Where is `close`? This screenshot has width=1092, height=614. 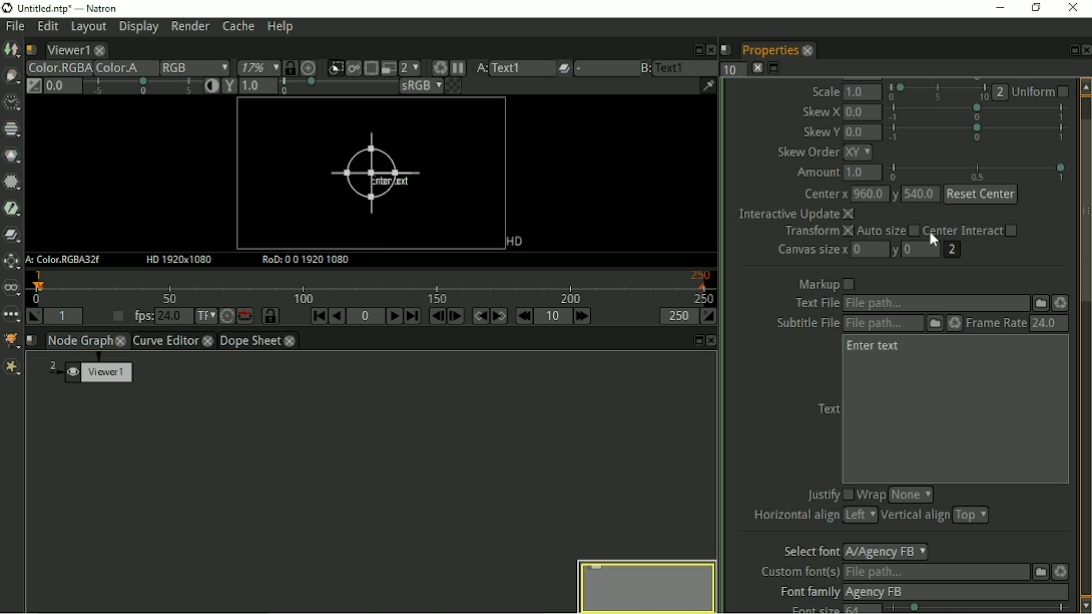
close is located at coordinates (101, 50).